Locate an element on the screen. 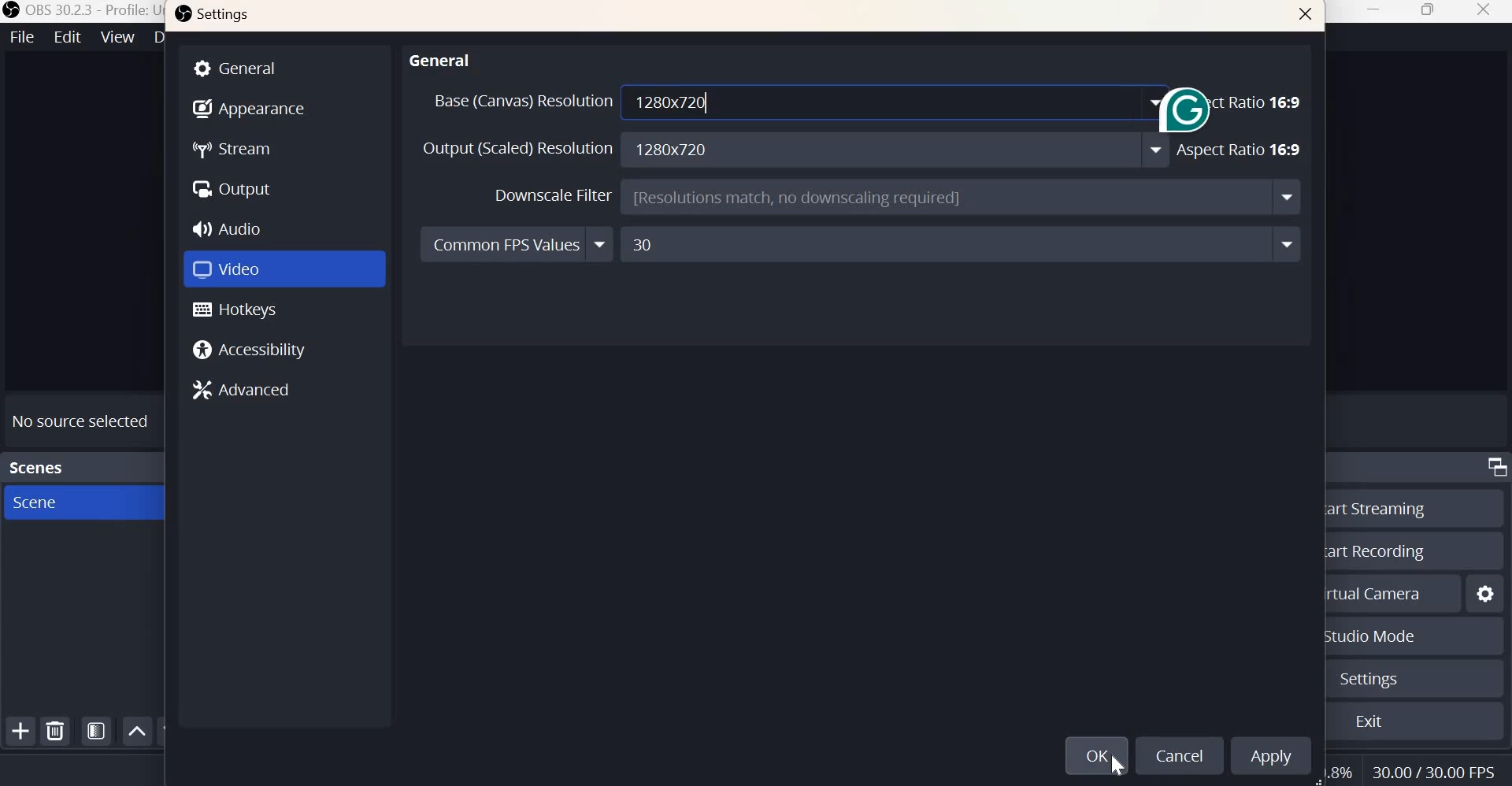  Start streaming is located at coordinates (1374, 507).